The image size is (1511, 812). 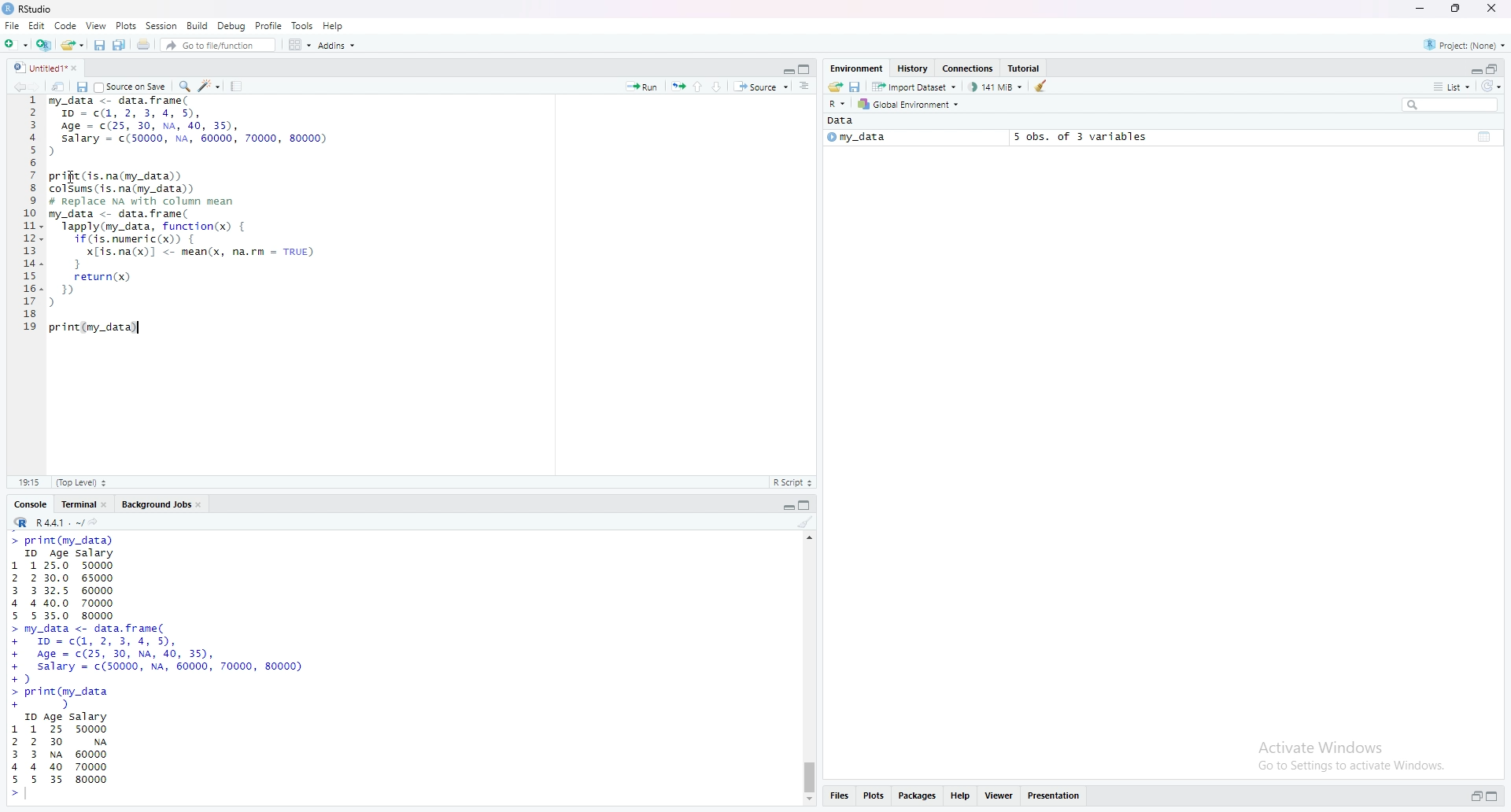 I want to click on plots, so click(x=875, y=795).